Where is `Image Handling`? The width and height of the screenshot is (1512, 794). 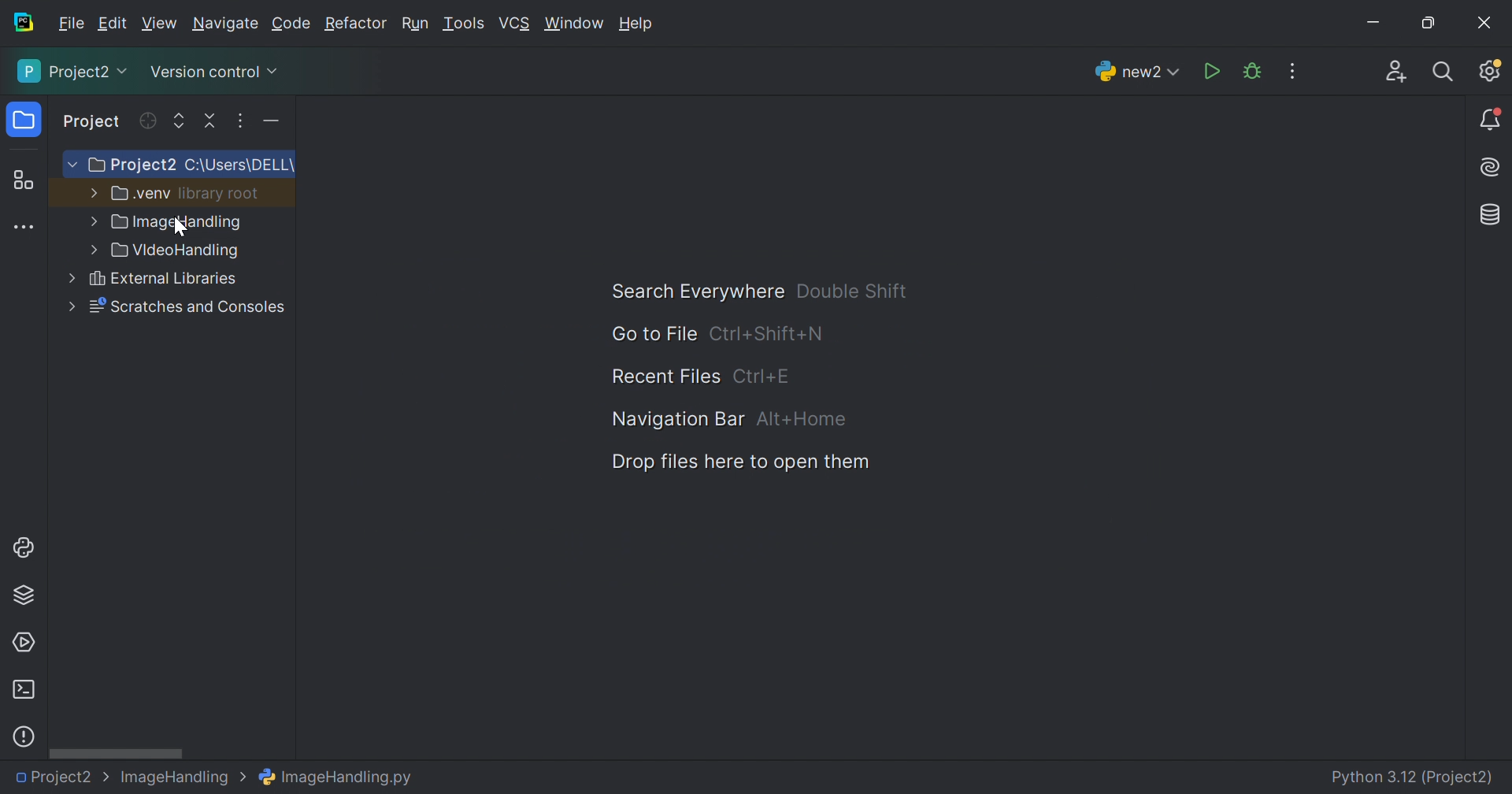
Image Handling is located at coordinates (179, 776).